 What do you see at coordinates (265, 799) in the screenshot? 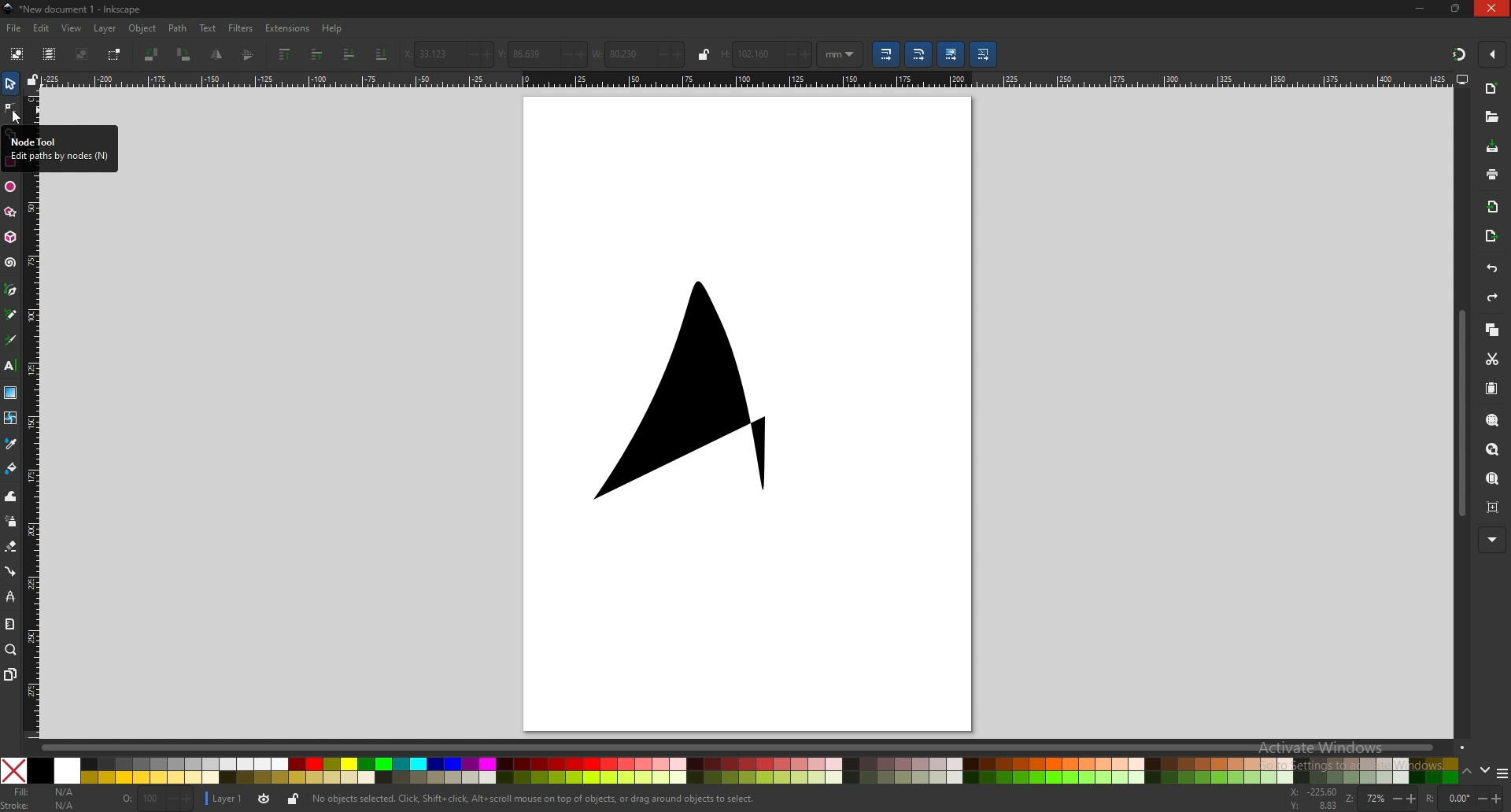
I see `toggle visibility` at bounding box center [265, 799].